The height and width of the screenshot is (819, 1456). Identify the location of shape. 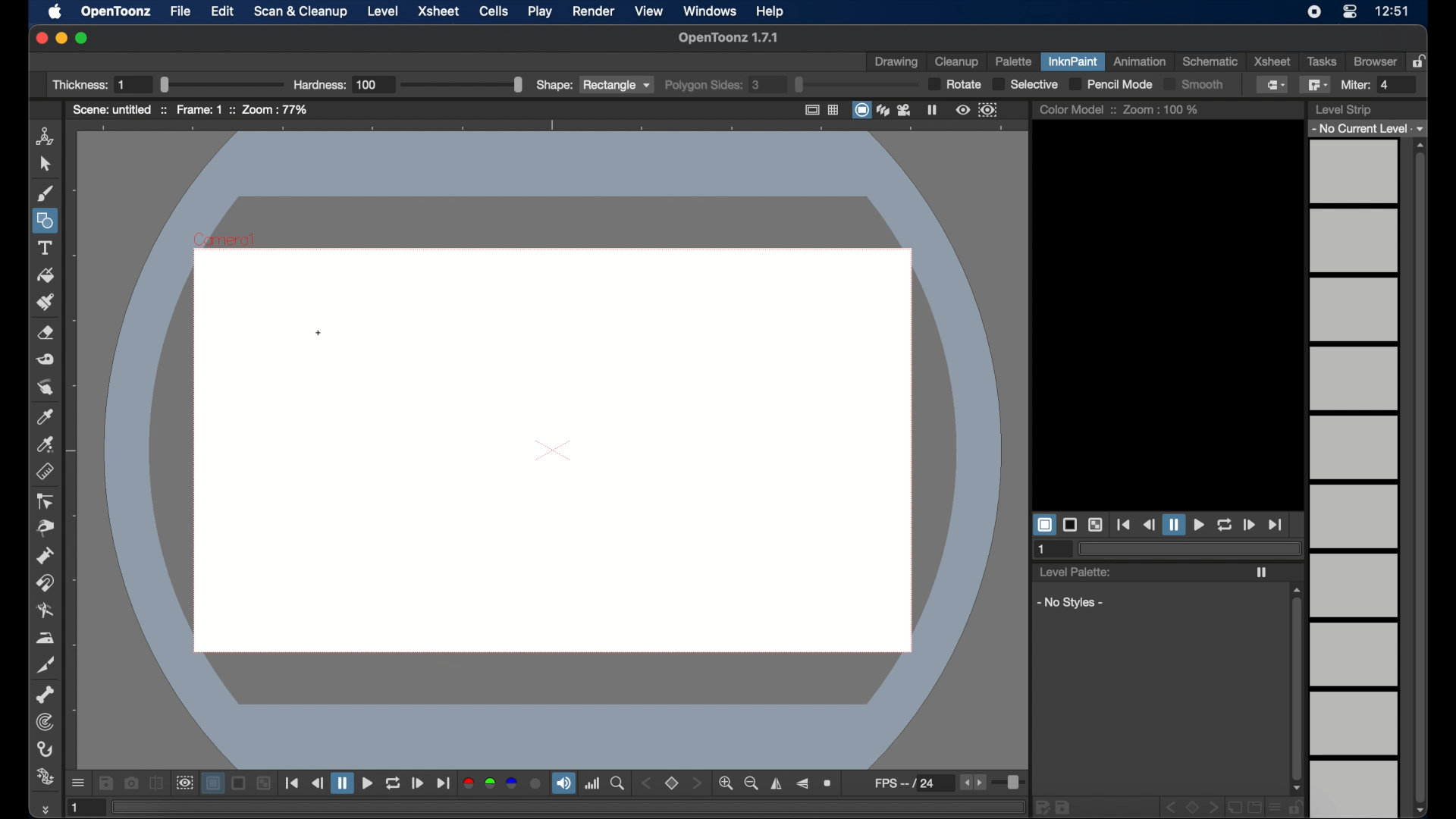
(592, 85).